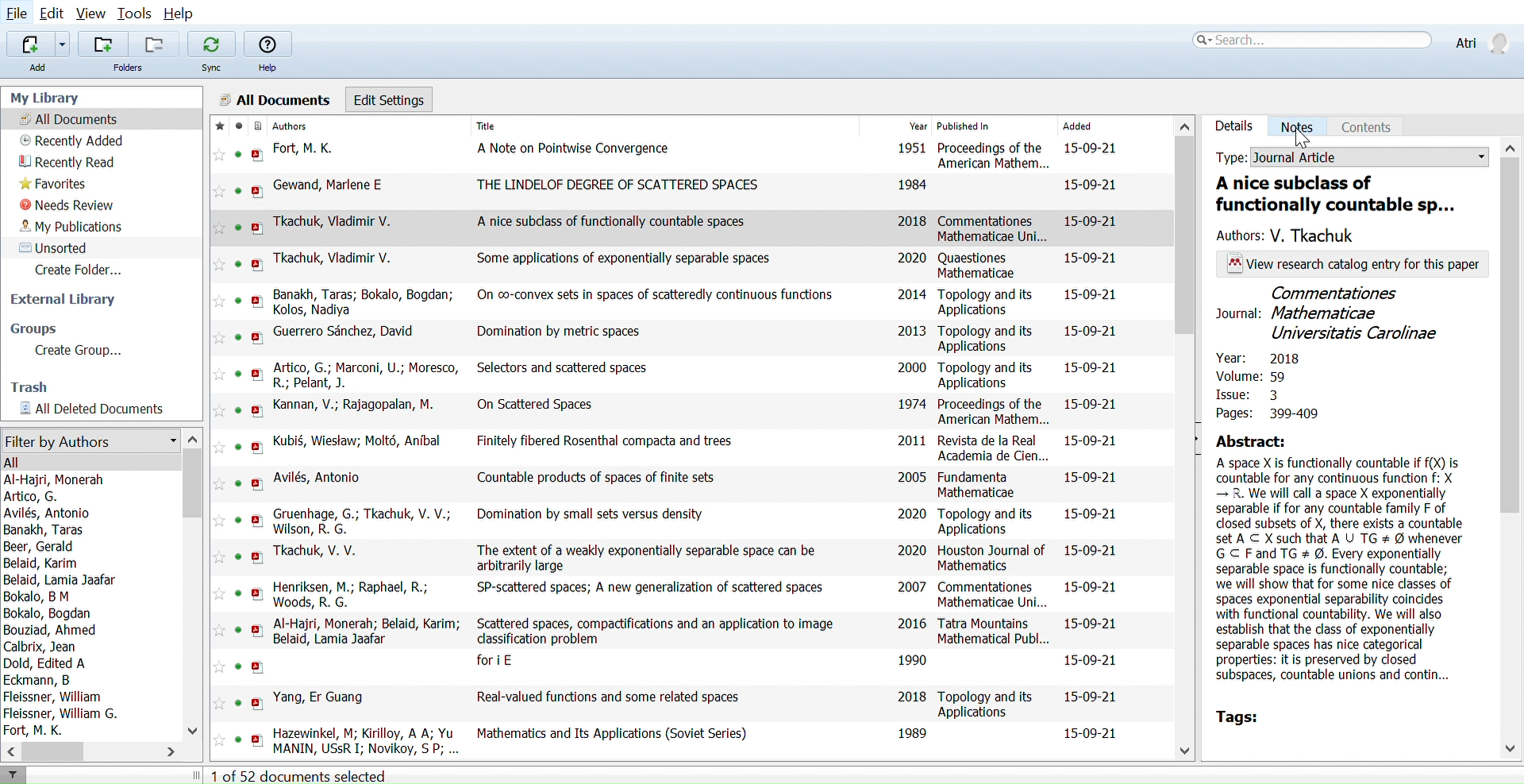 This screenshot has height=784, width=1524. What do you see at coordinates (1094, 623) in the screenshot?
I see `15-09-21` at bounding box center [1094, 623].